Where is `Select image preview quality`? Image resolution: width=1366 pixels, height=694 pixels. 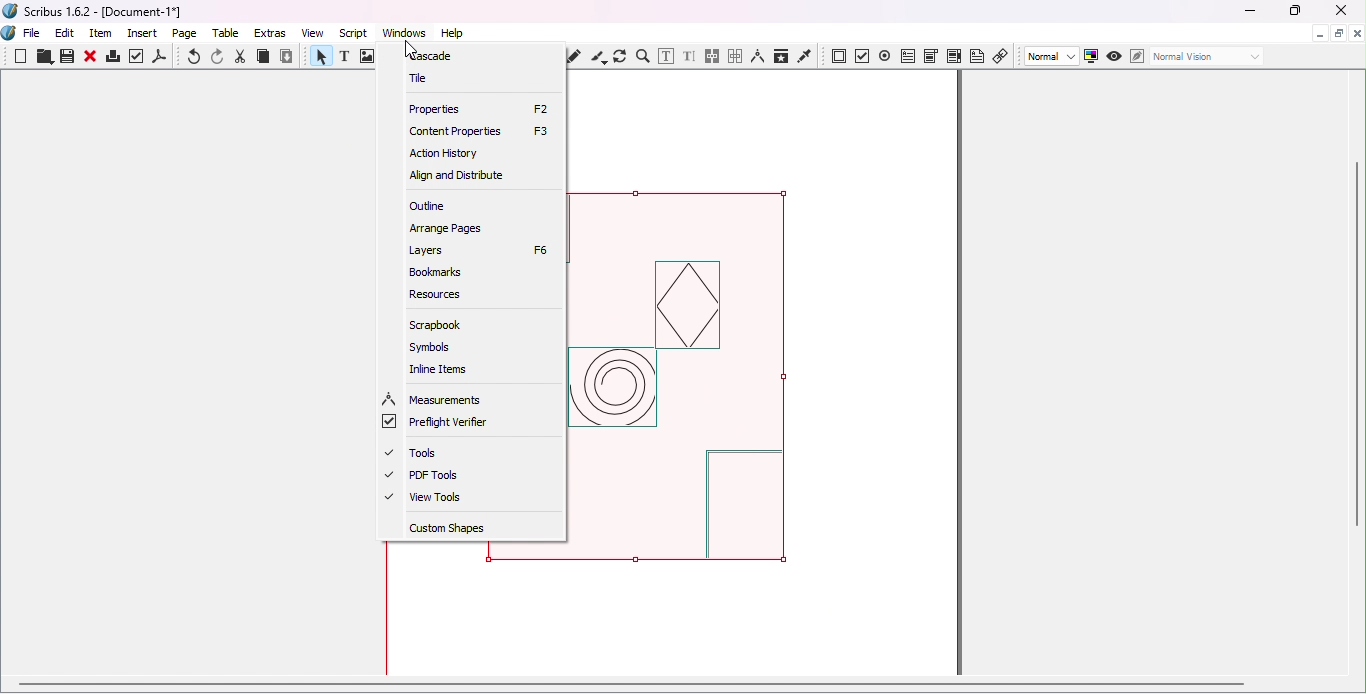 Select image preview quality is located at coordinates (1053, 57).